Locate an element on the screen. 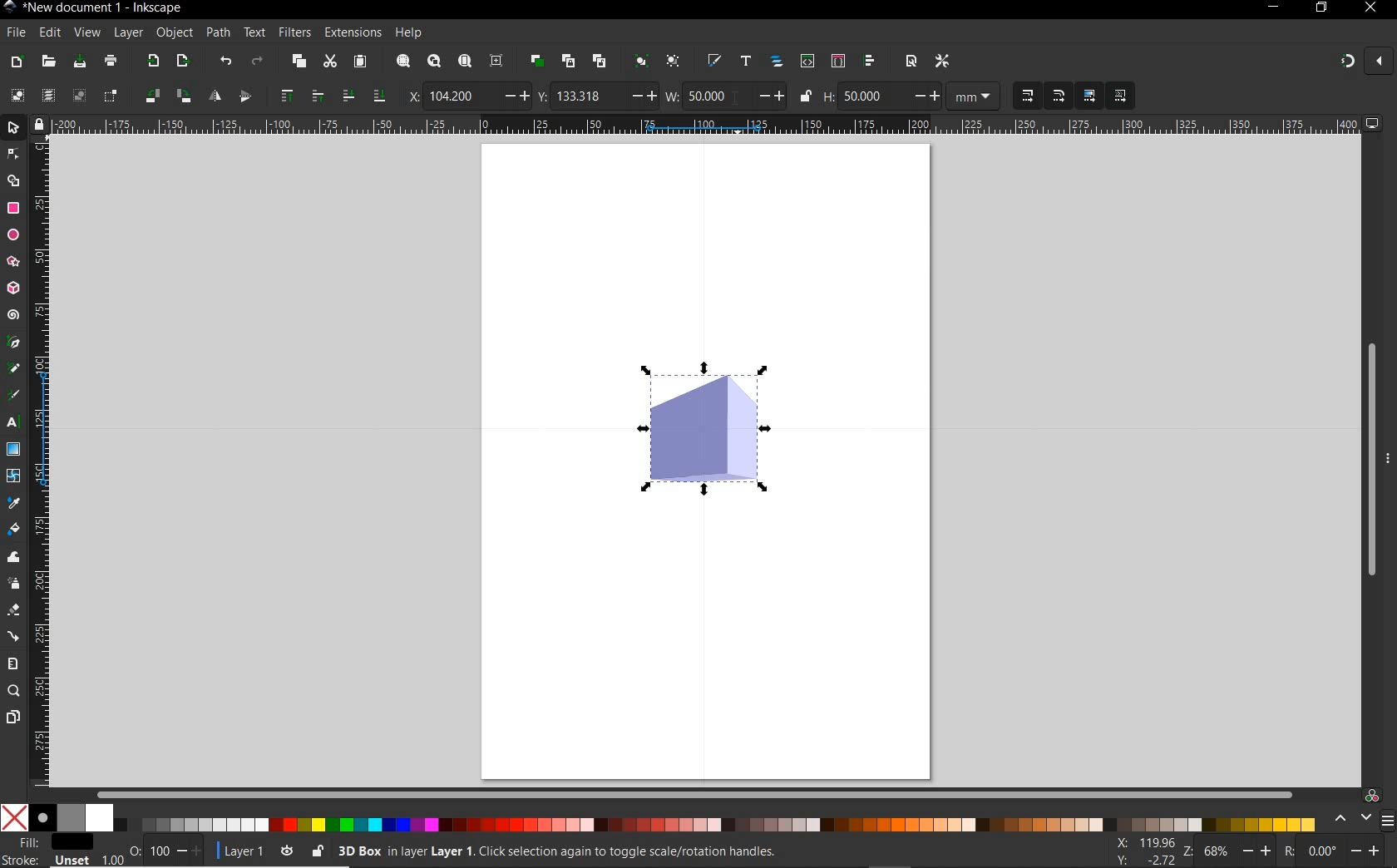 This screenshot has width=1397, height=868. x is located at coordinates (409, 94).